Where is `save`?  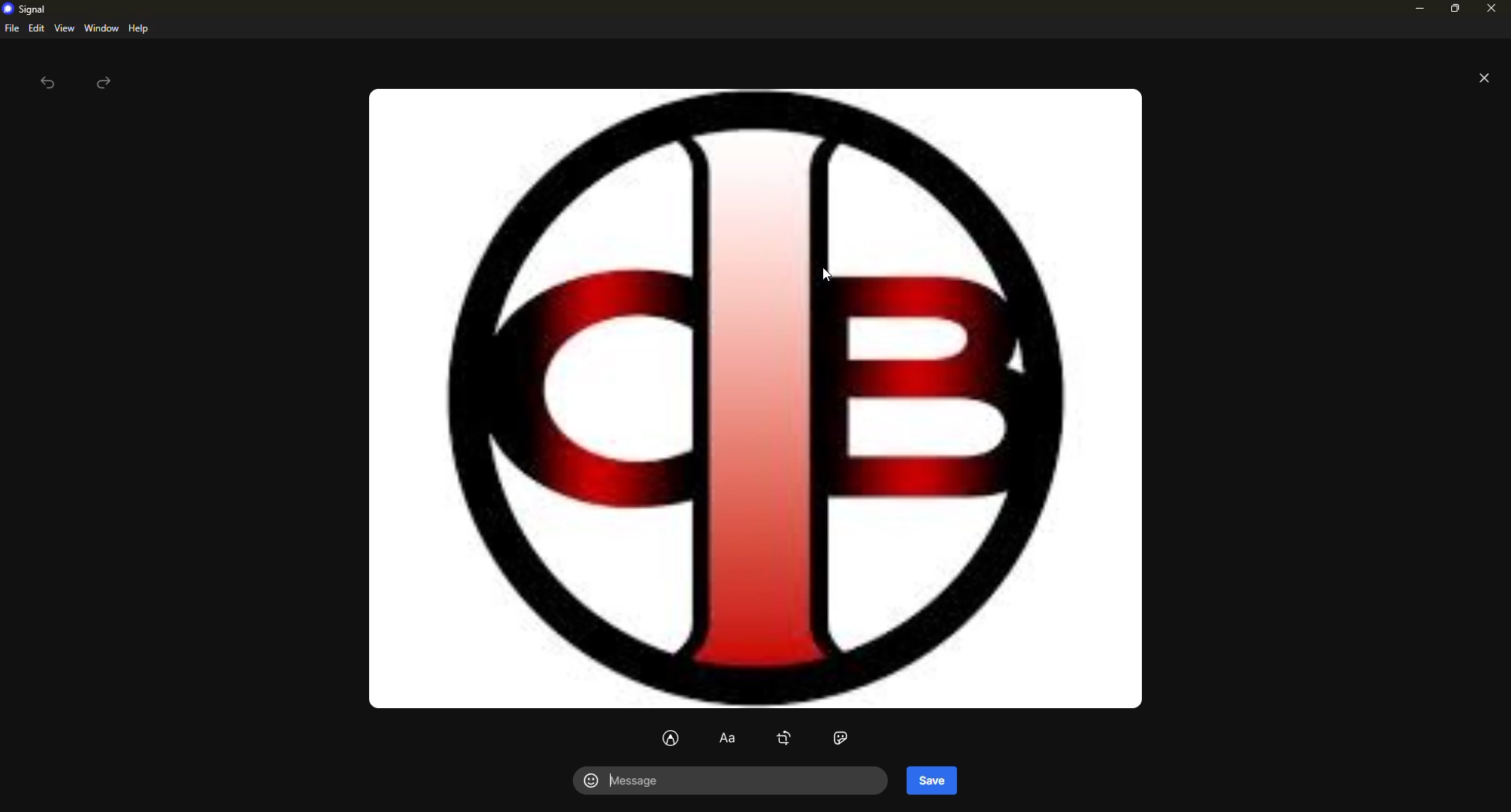
save is located at coordinates (932, 780).